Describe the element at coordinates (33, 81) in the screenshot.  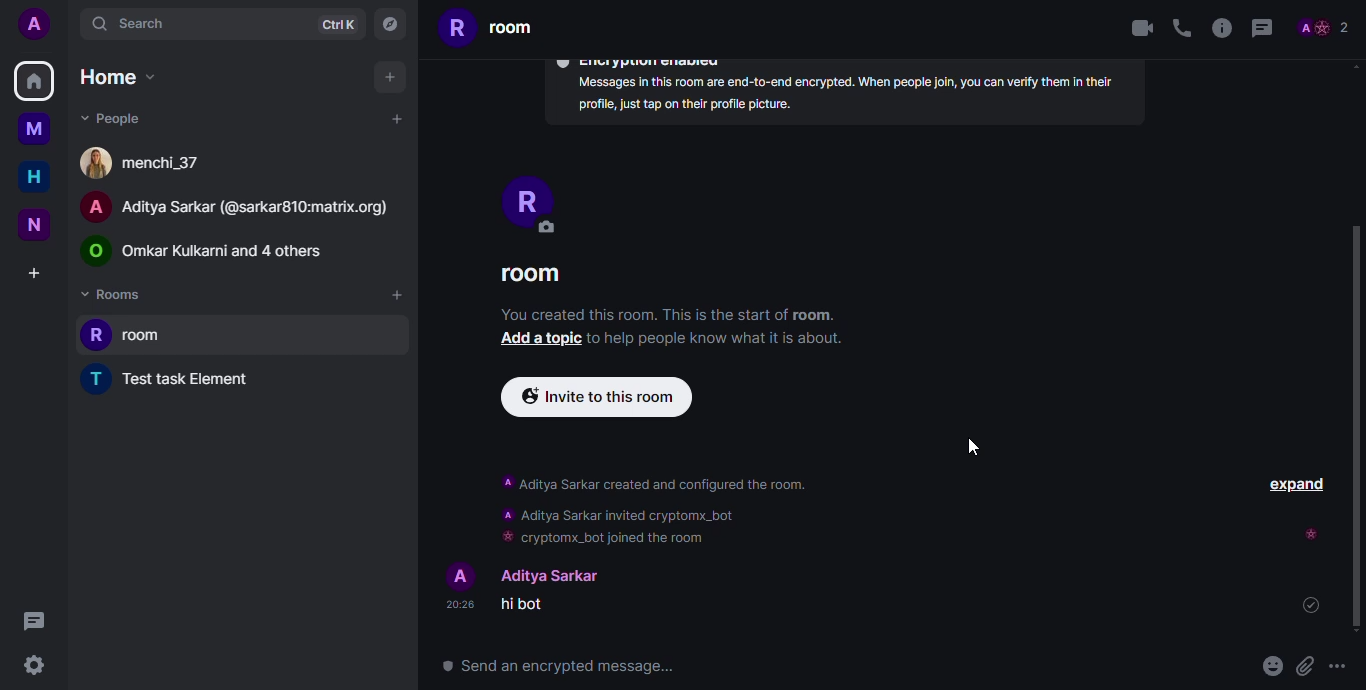
I see `home` at that location.